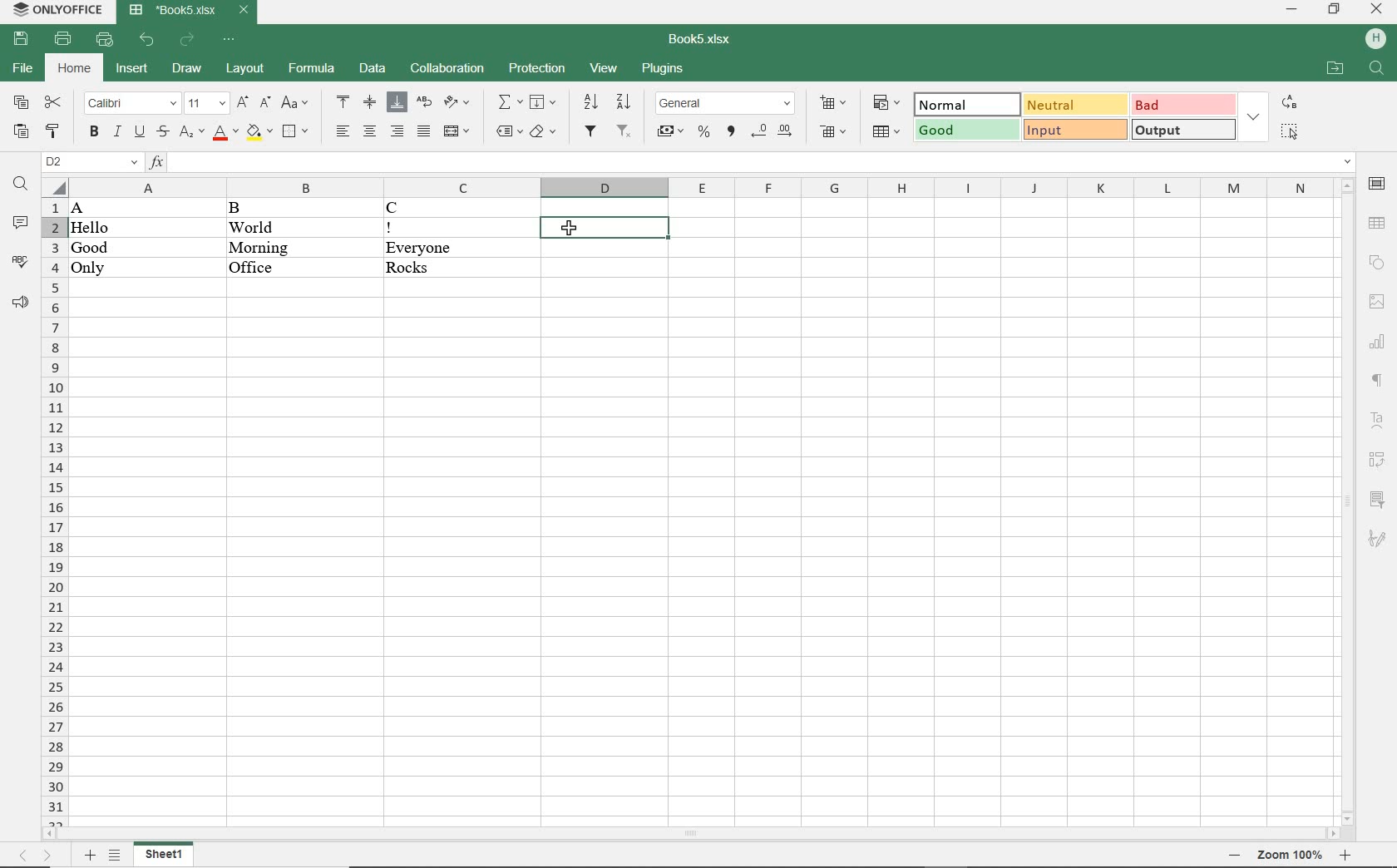 The height and width of the screenshot is (868, 1397). I want to click on FILL COLOR, so click(260, 132).